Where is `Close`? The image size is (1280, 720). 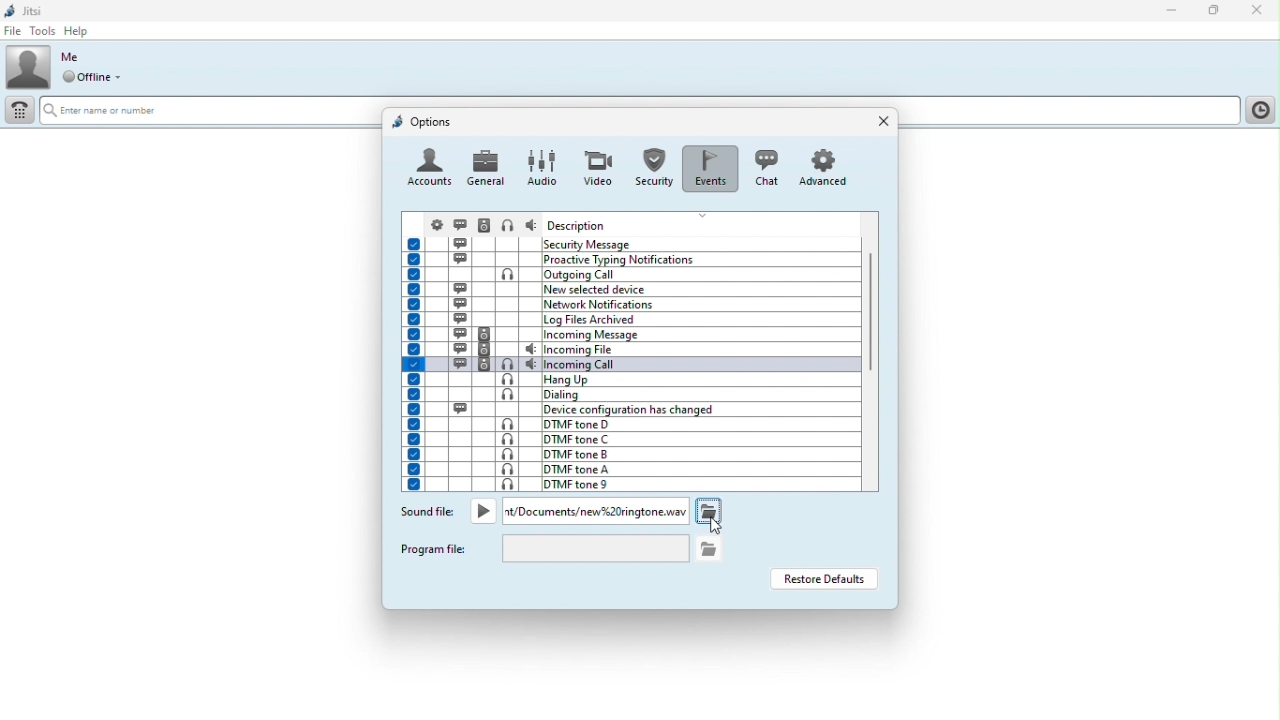 Close is located at coordinates (879, 122).